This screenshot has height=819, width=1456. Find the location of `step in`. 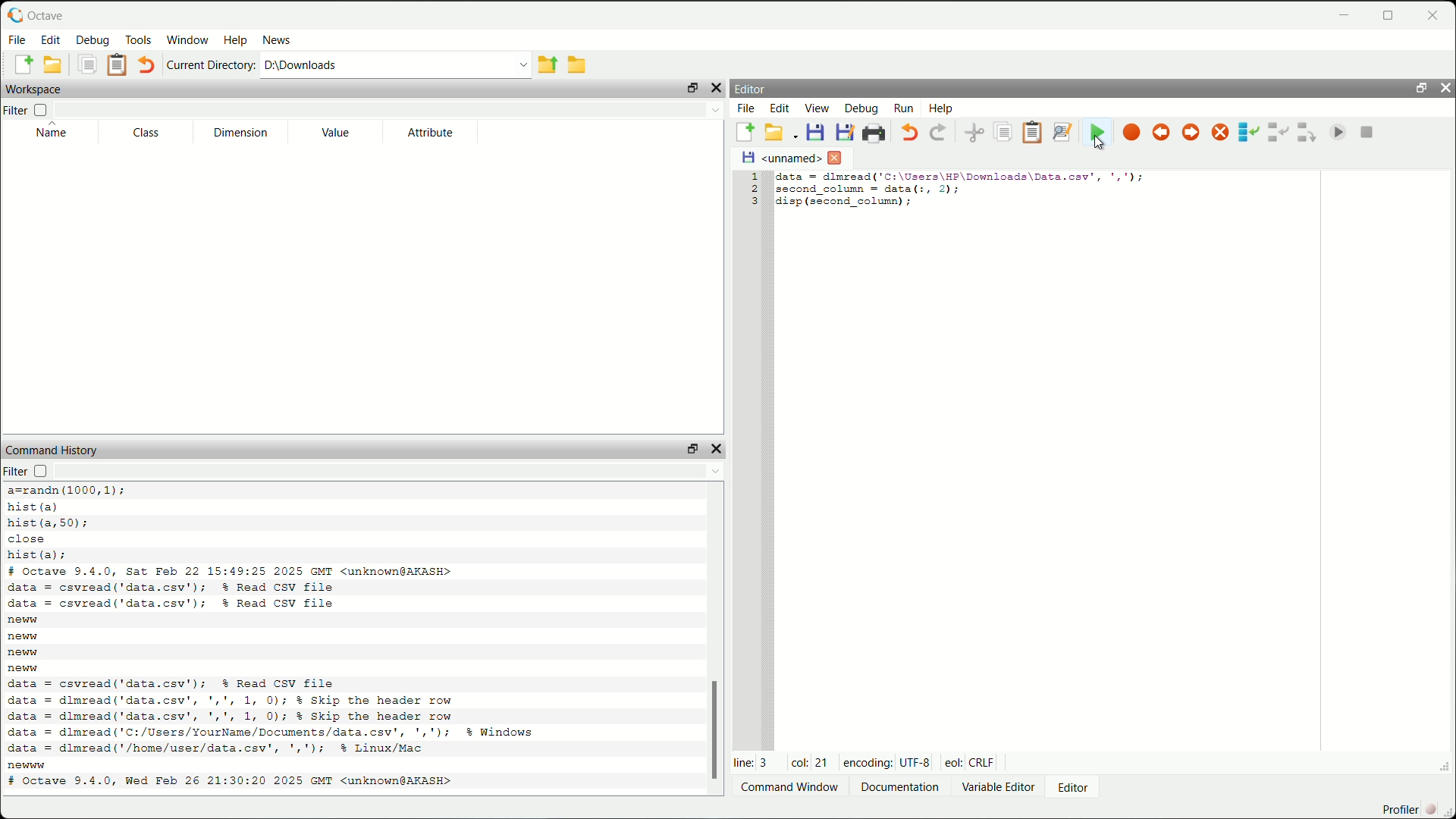

step in is located at coordinates (1278, 134).